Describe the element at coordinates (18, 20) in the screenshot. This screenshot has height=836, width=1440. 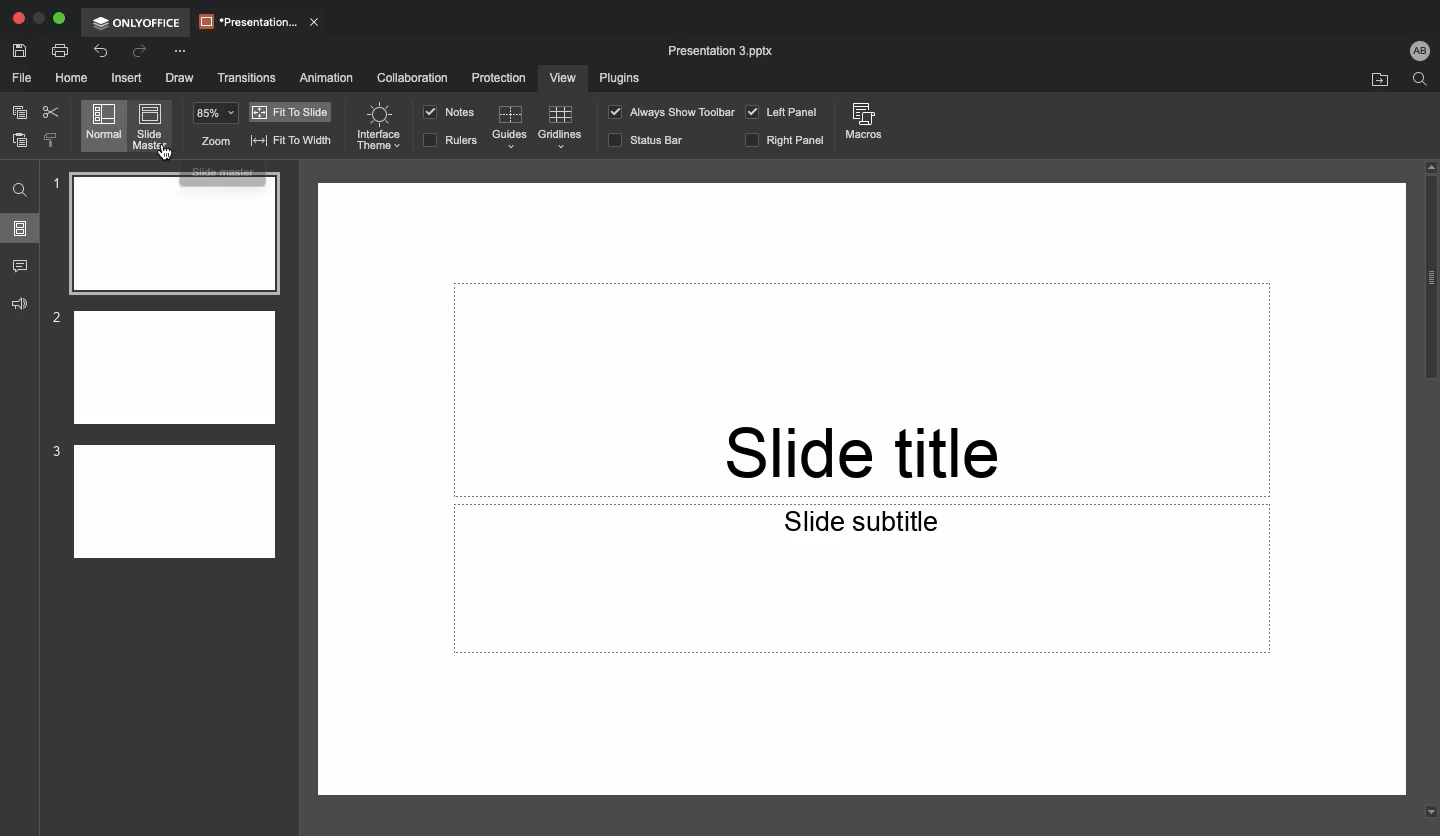
I see `Close` at that location.